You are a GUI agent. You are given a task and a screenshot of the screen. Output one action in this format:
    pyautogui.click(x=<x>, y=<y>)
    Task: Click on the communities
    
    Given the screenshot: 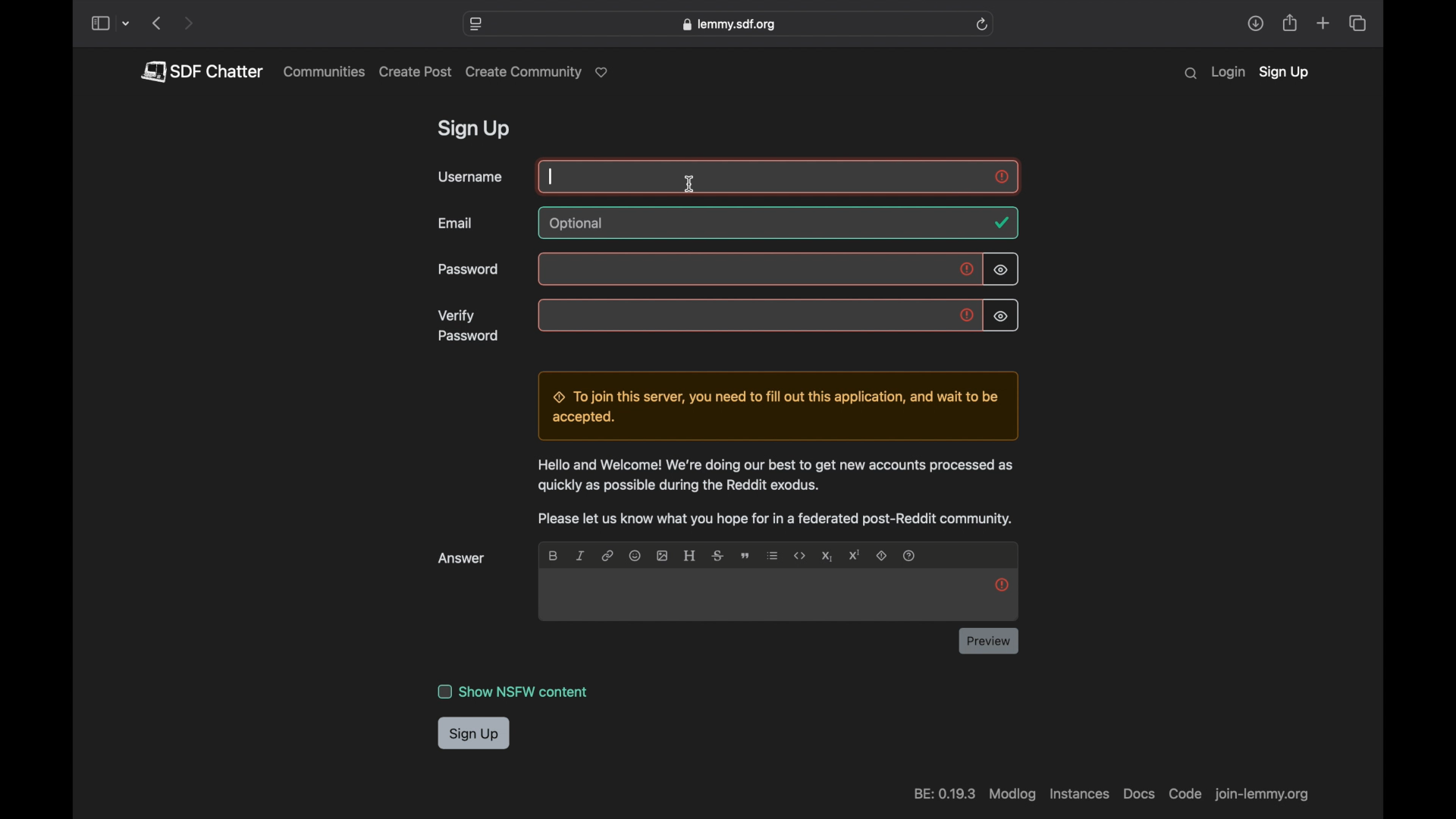 What is the action you would take?
    pyautogui.click(x=325, y=71)
    